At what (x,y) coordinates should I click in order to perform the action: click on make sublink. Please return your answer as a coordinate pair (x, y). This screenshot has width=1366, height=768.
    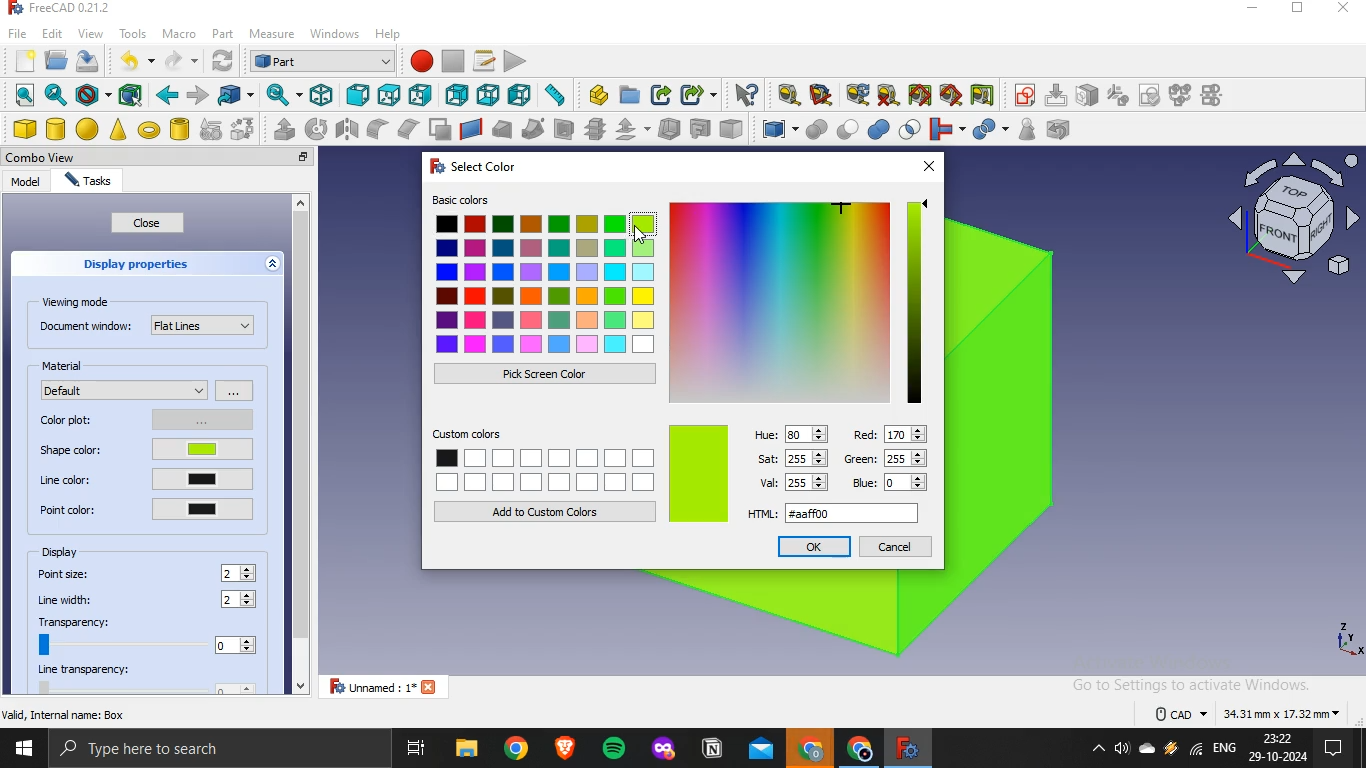
    Looking at the image, I should click on (694, 95).